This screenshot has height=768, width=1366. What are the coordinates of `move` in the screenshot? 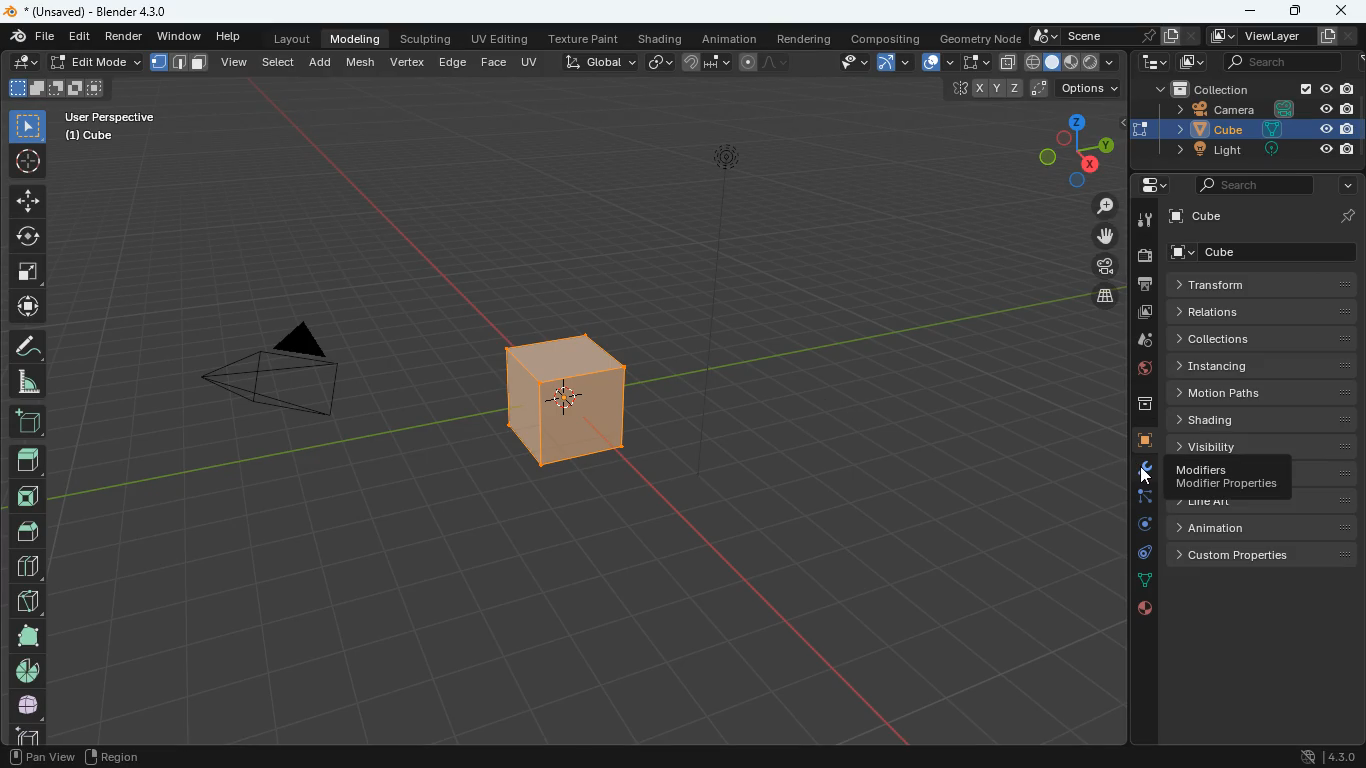 It's located at (27, 306).